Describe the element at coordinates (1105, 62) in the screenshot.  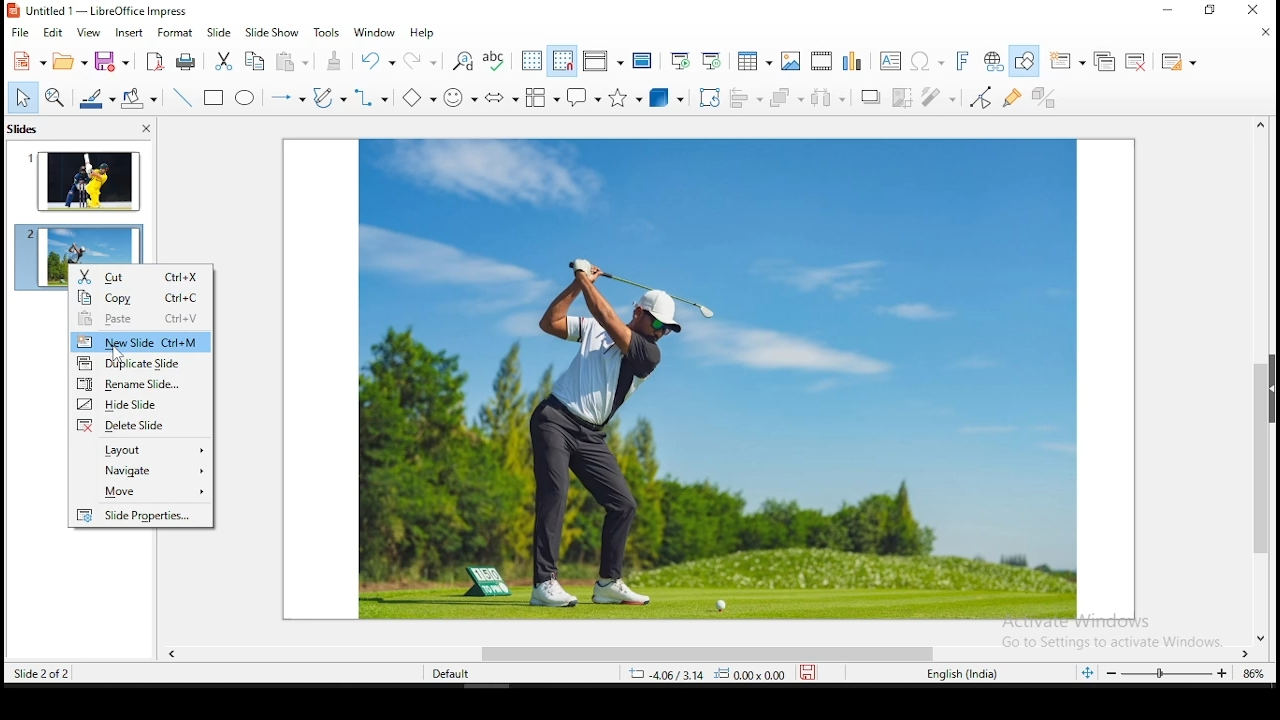
I see `duplicate slide` at that location.